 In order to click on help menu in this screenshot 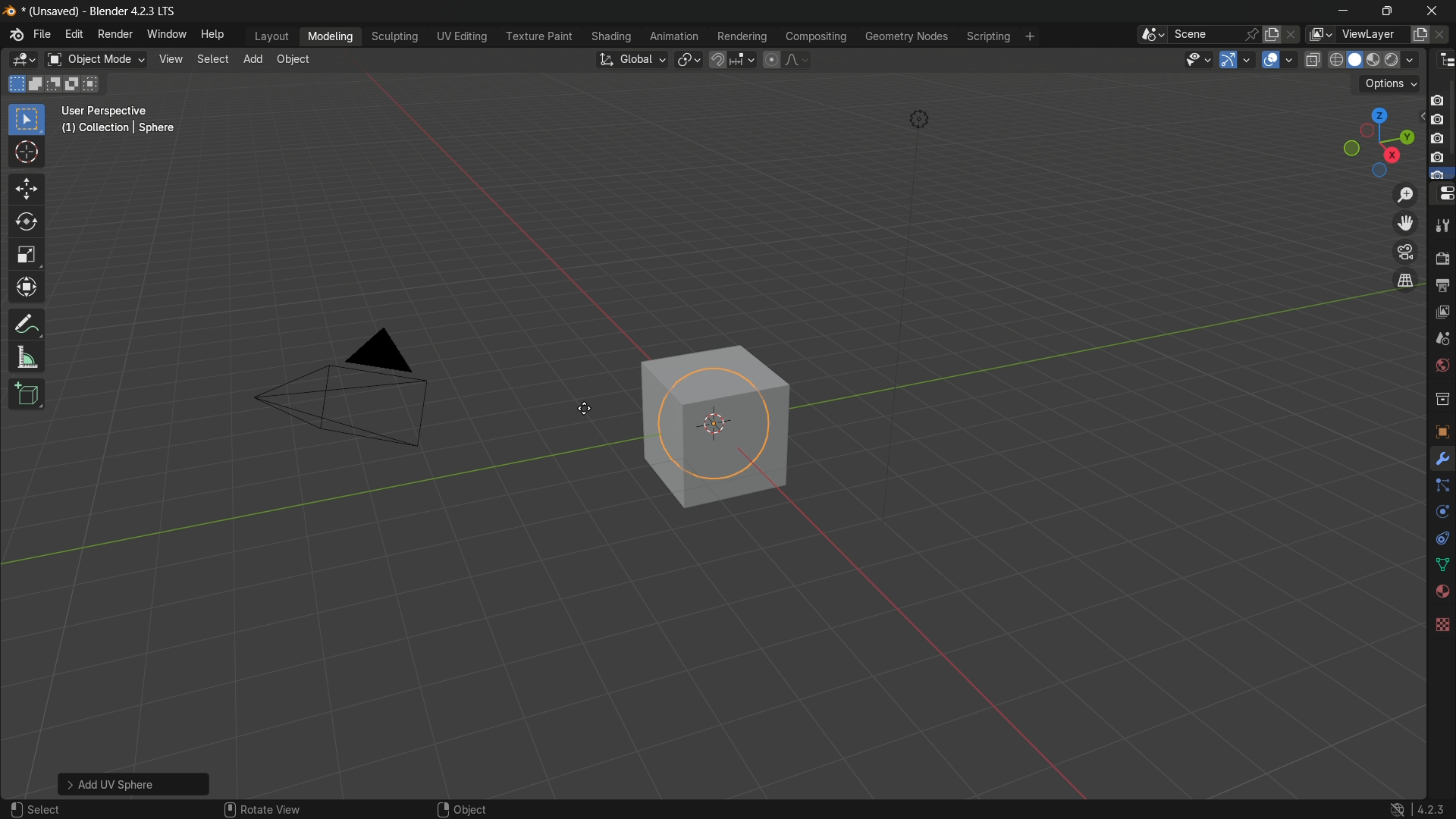, I will do `click(212, 33)`.